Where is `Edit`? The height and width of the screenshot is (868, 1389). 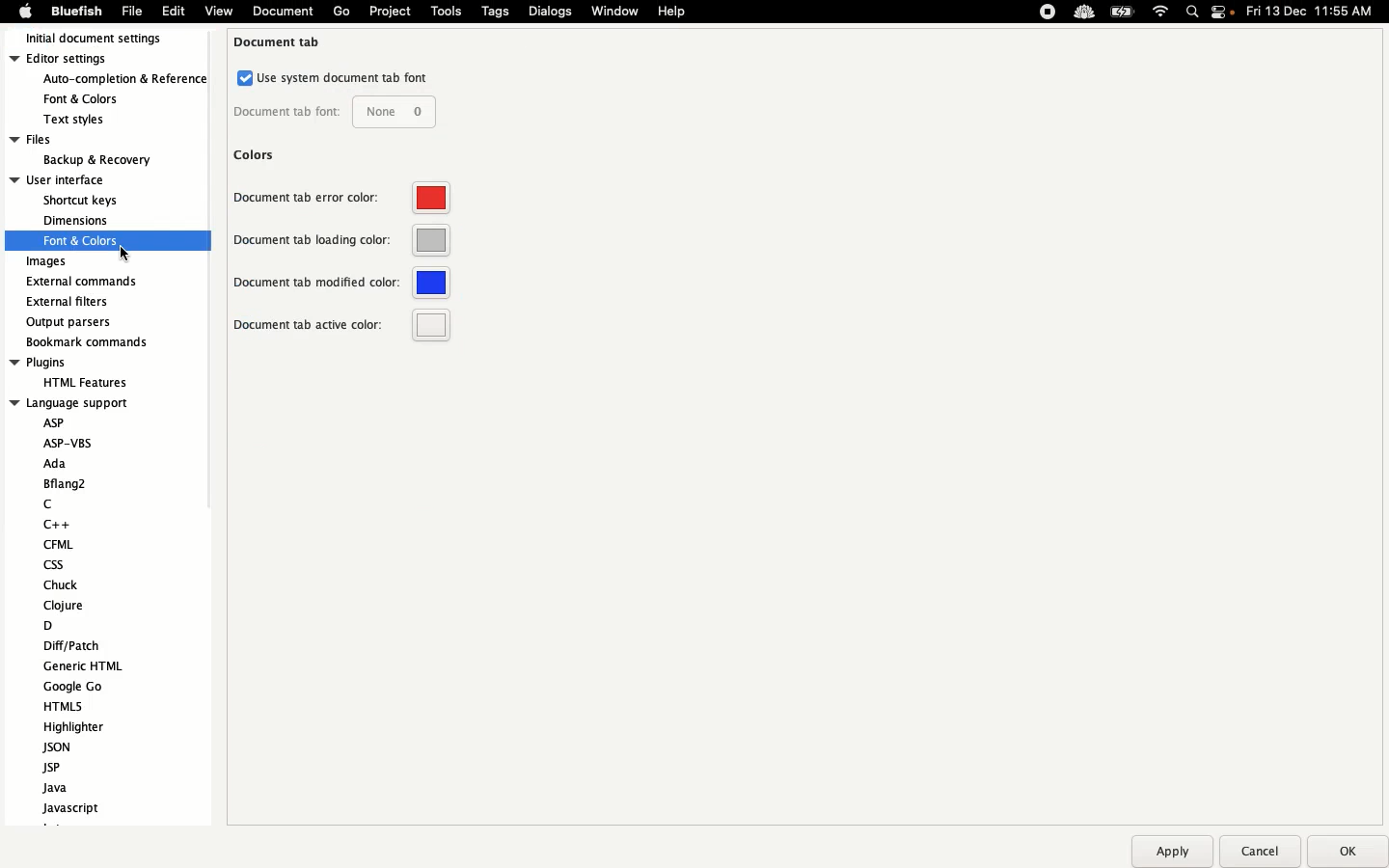 Edit is located at coordinates (174, 11).